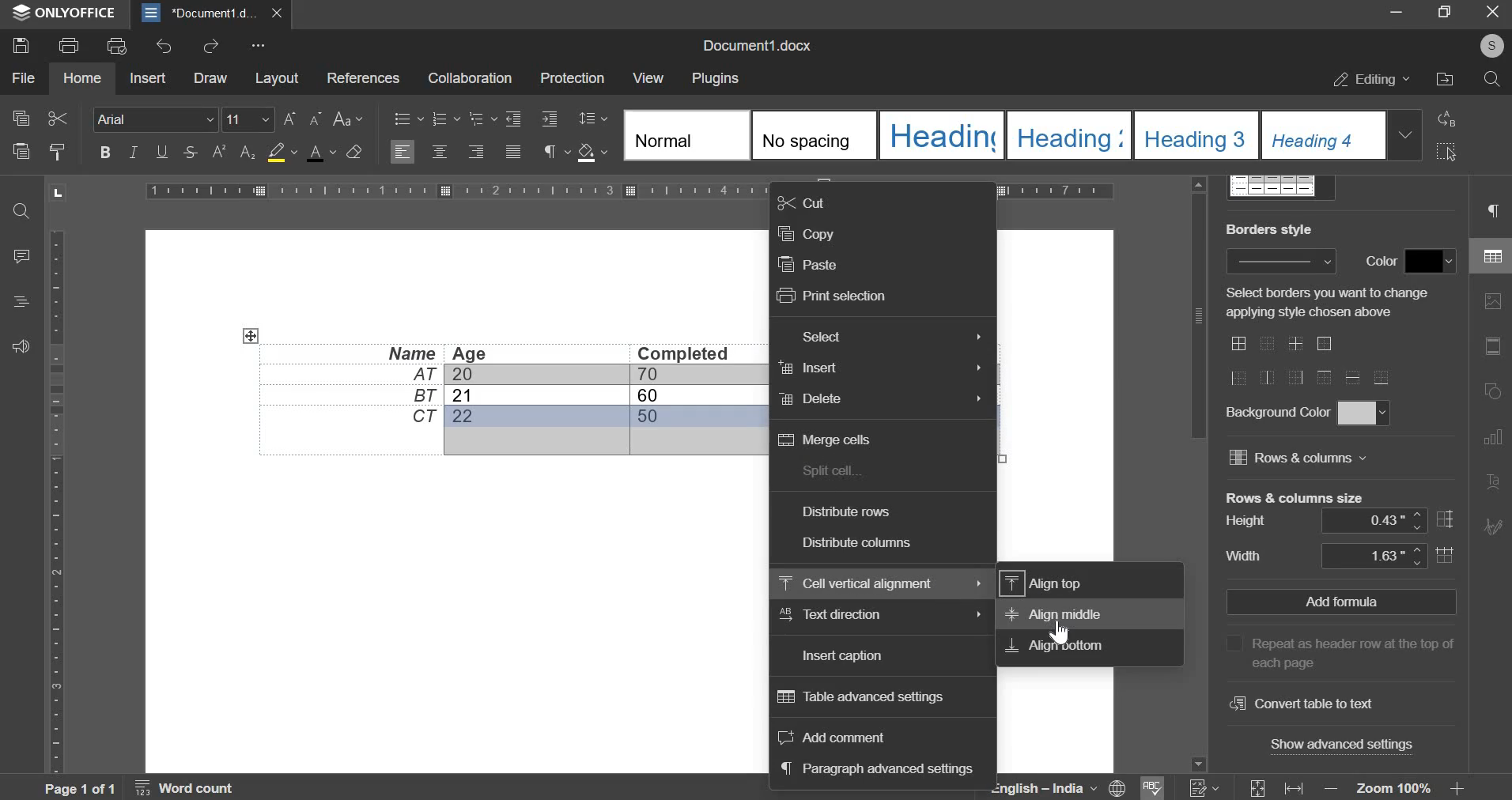 This screenshot has height=800, width=1512. What do you see at coordinates (159, 152) in the screenshot?
I see `underline` at bounding box center [159, 152].